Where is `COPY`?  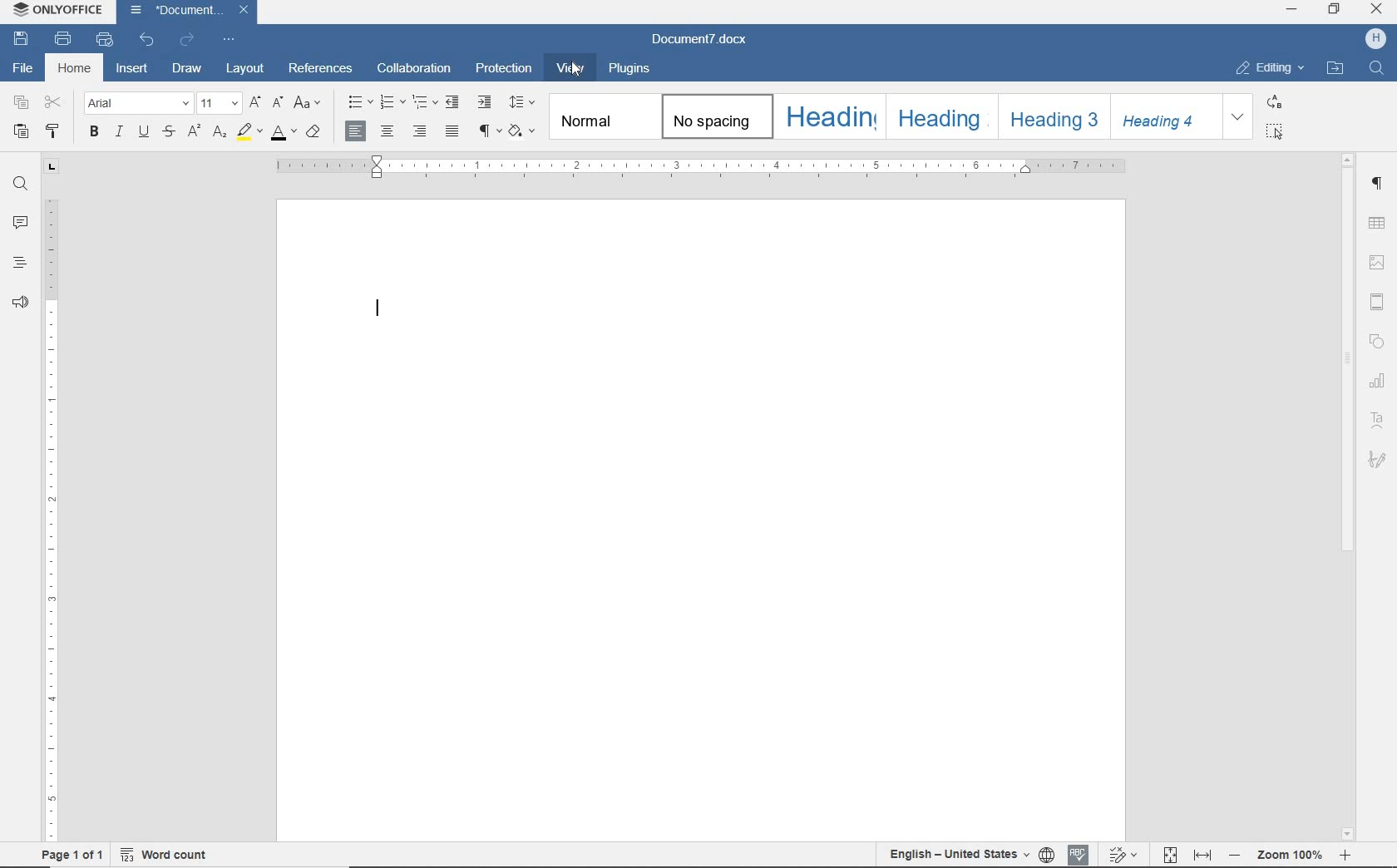 COPY is located at coordinates (21, 104).